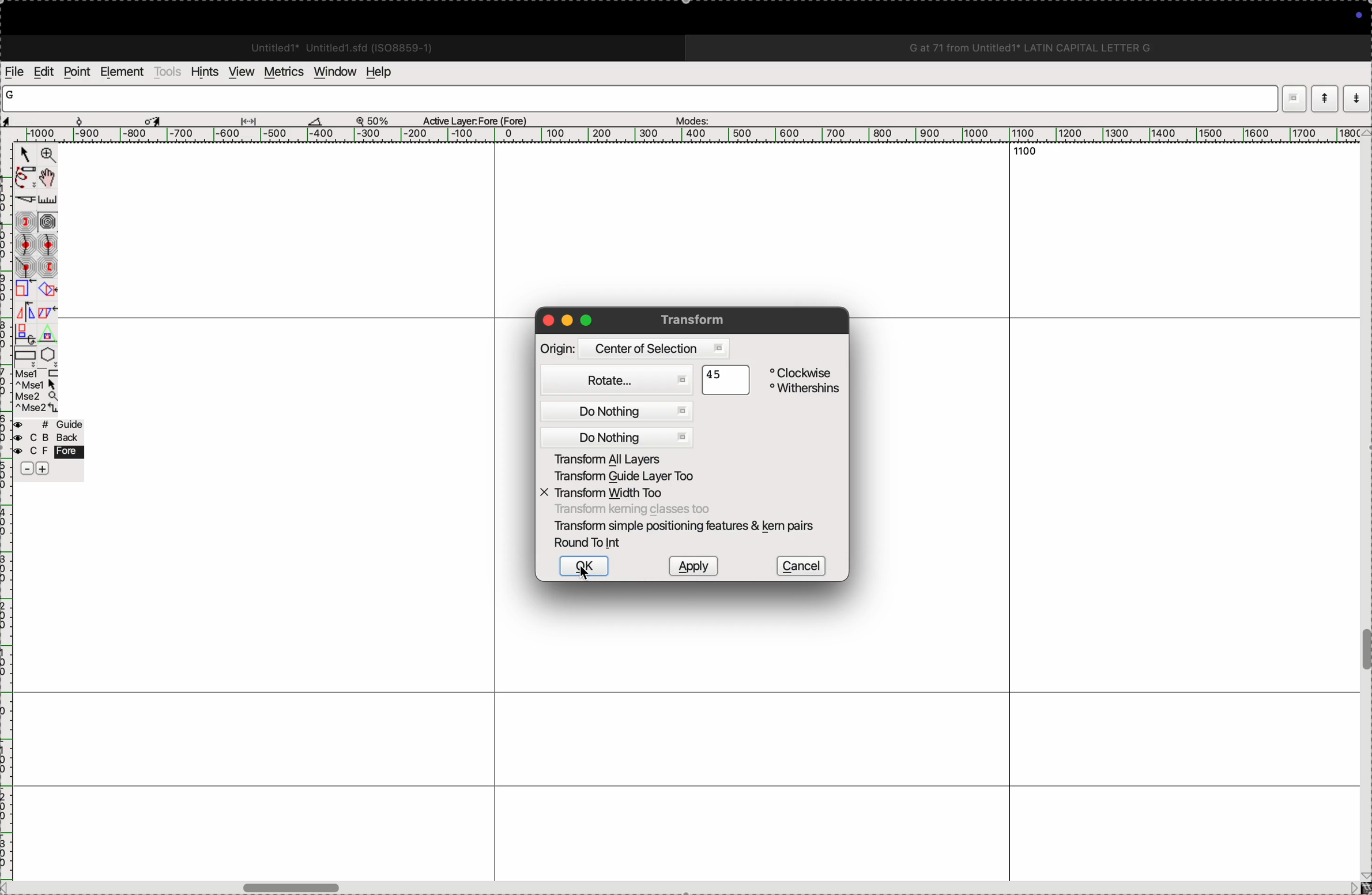 The image size is (1372, 895). Describe the element at coordinates (805, 389) in the screenshot. I see `Withershins` at that location.